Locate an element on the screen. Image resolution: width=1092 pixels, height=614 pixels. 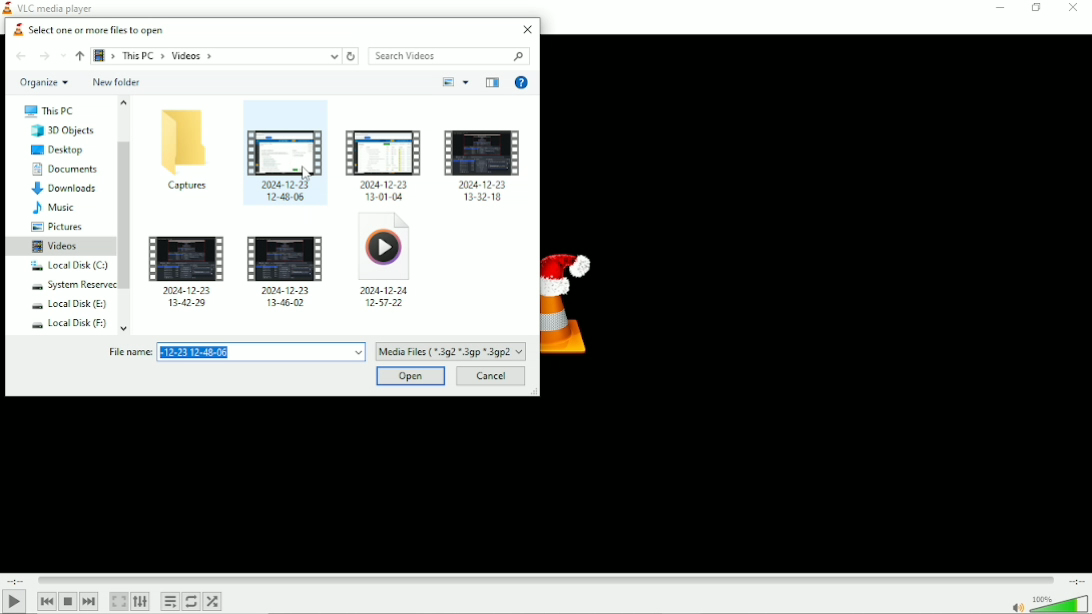
video is located at coordinates (483, 165).